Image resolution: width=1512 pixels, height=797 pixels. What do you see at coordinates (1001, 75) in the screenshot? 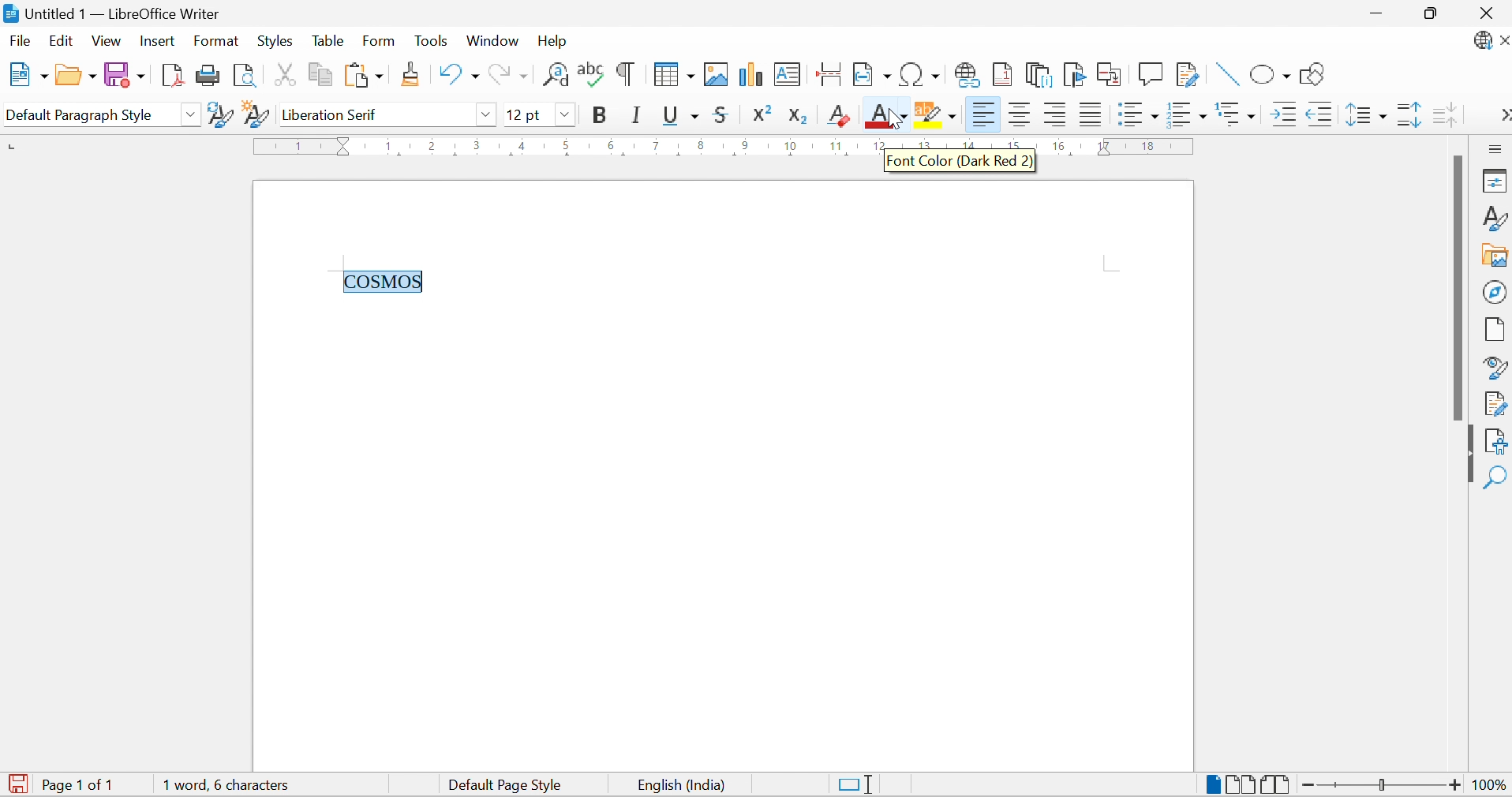
I see `Insert Footnote` at bounding box center [1001, 75].